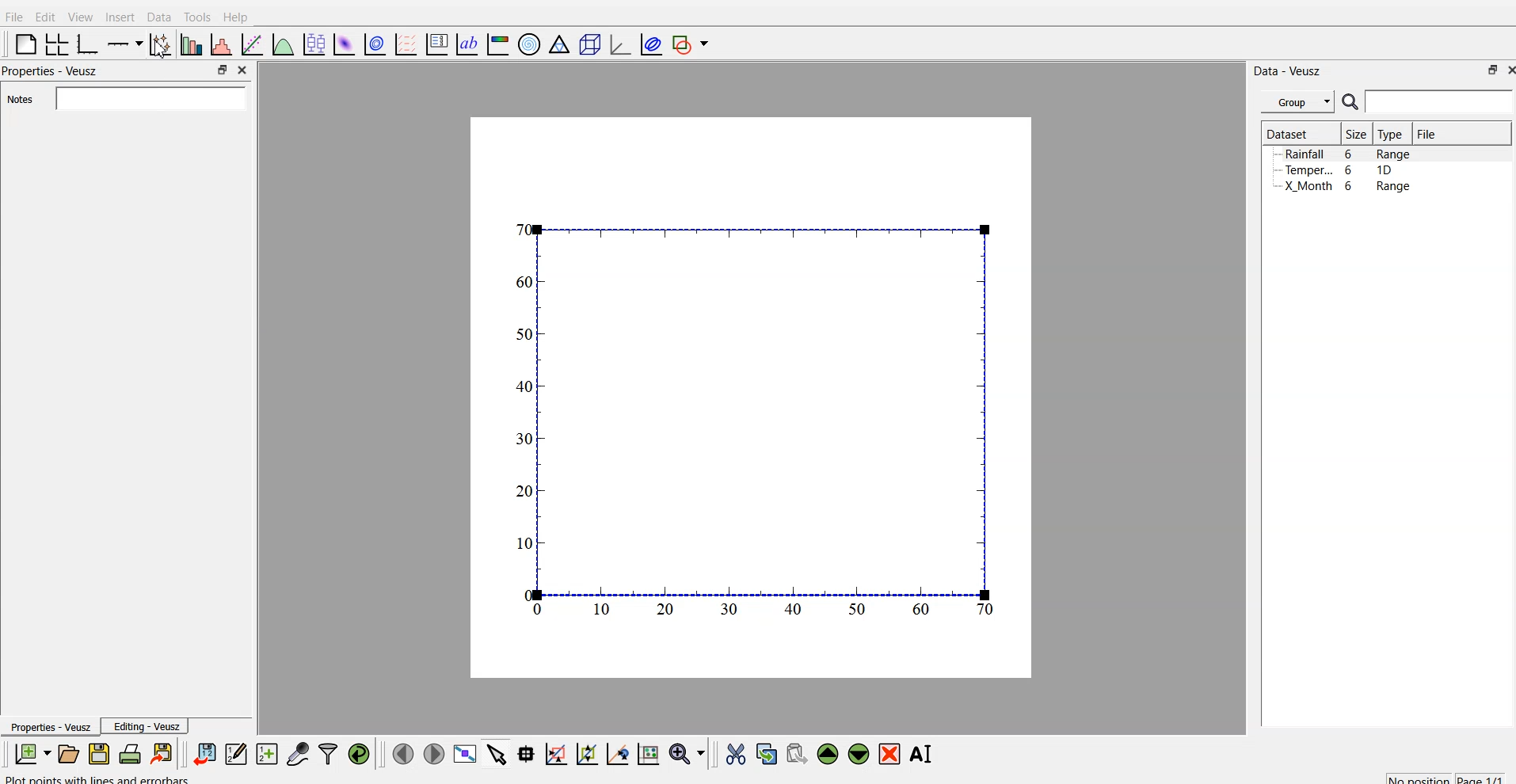 Image resolution: width=1516 pixels, height=784 pixels. What do you see at coordinates (1508, 71) in the screenshot?
I see `close` at bounding box center [1508, 71].